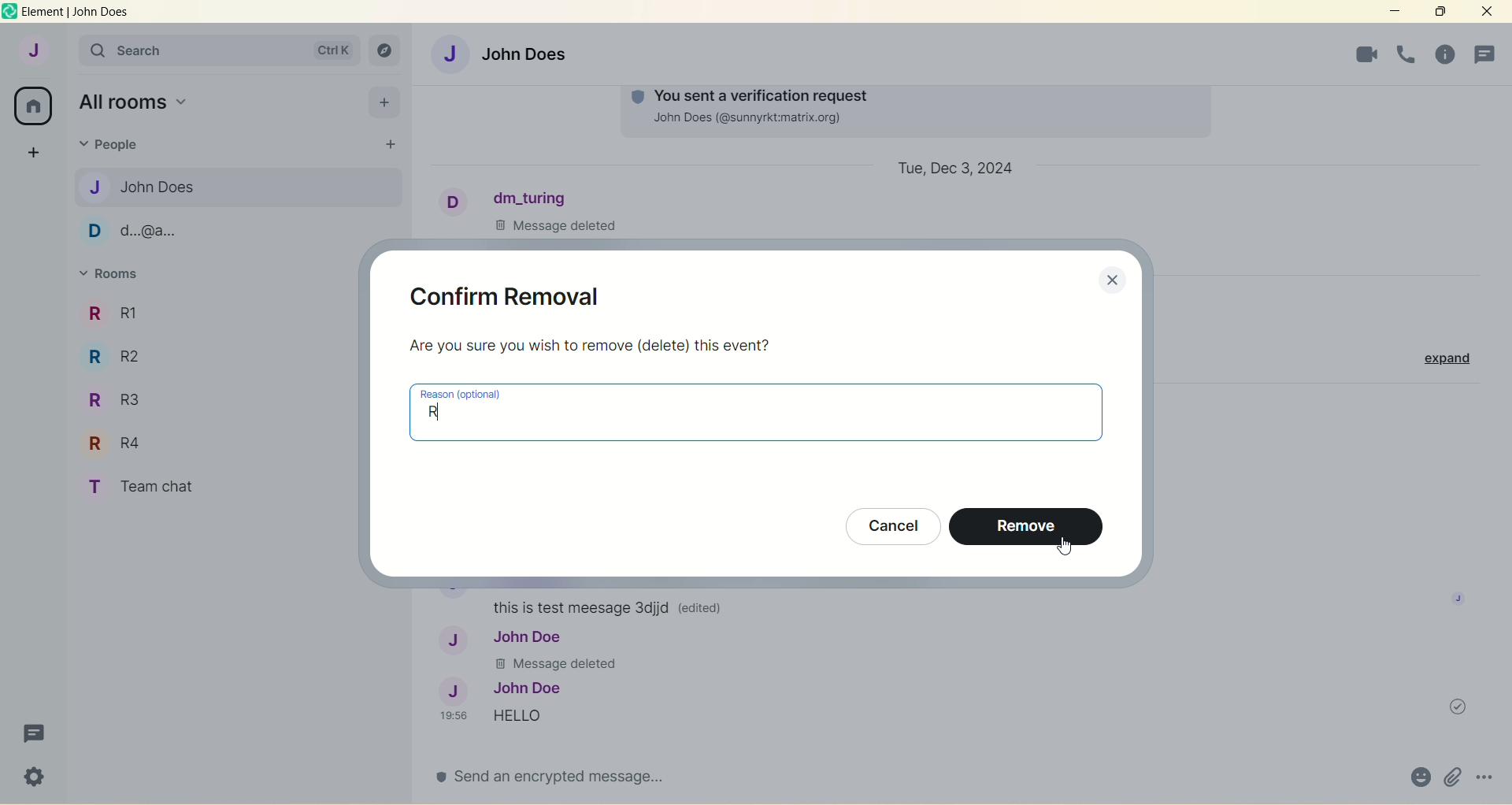 This screenshot has width=1512, height=805. What do you see at coordinates (1487, 53) in the screenshot?
I see `people` at bounding box center [1487, 53].